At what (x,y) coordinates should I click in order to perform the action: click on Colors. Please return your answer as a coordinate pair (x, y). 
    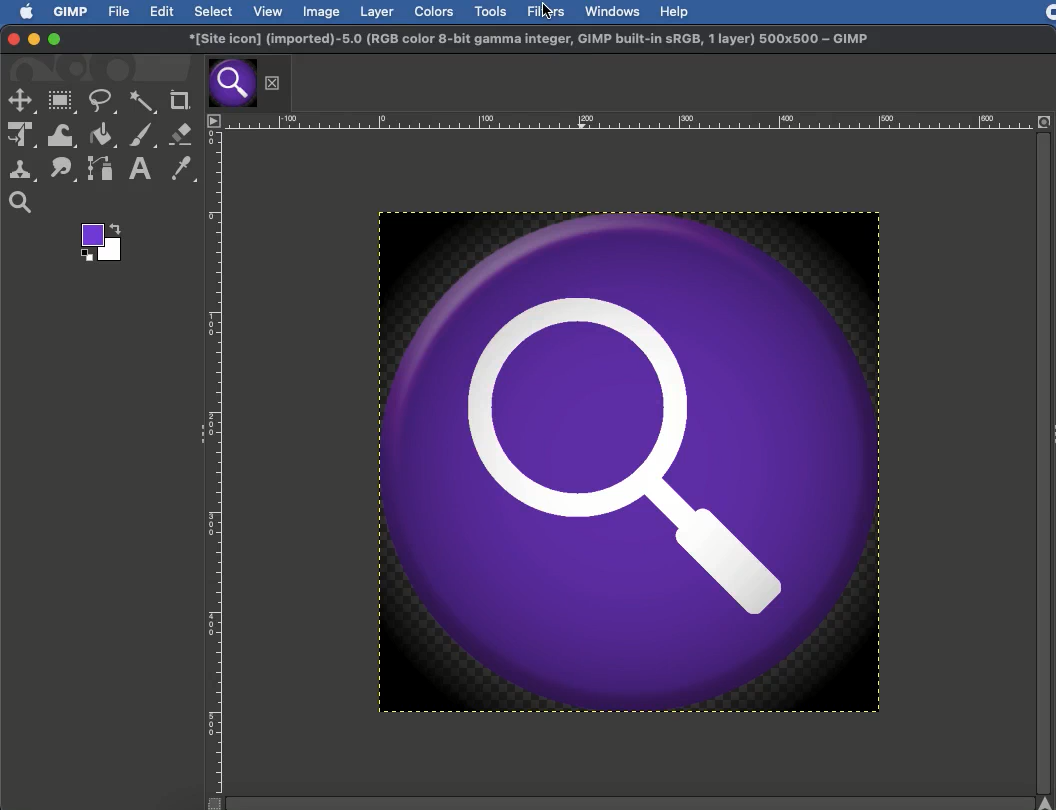
    Looking at the image, I should click on (436, 12).